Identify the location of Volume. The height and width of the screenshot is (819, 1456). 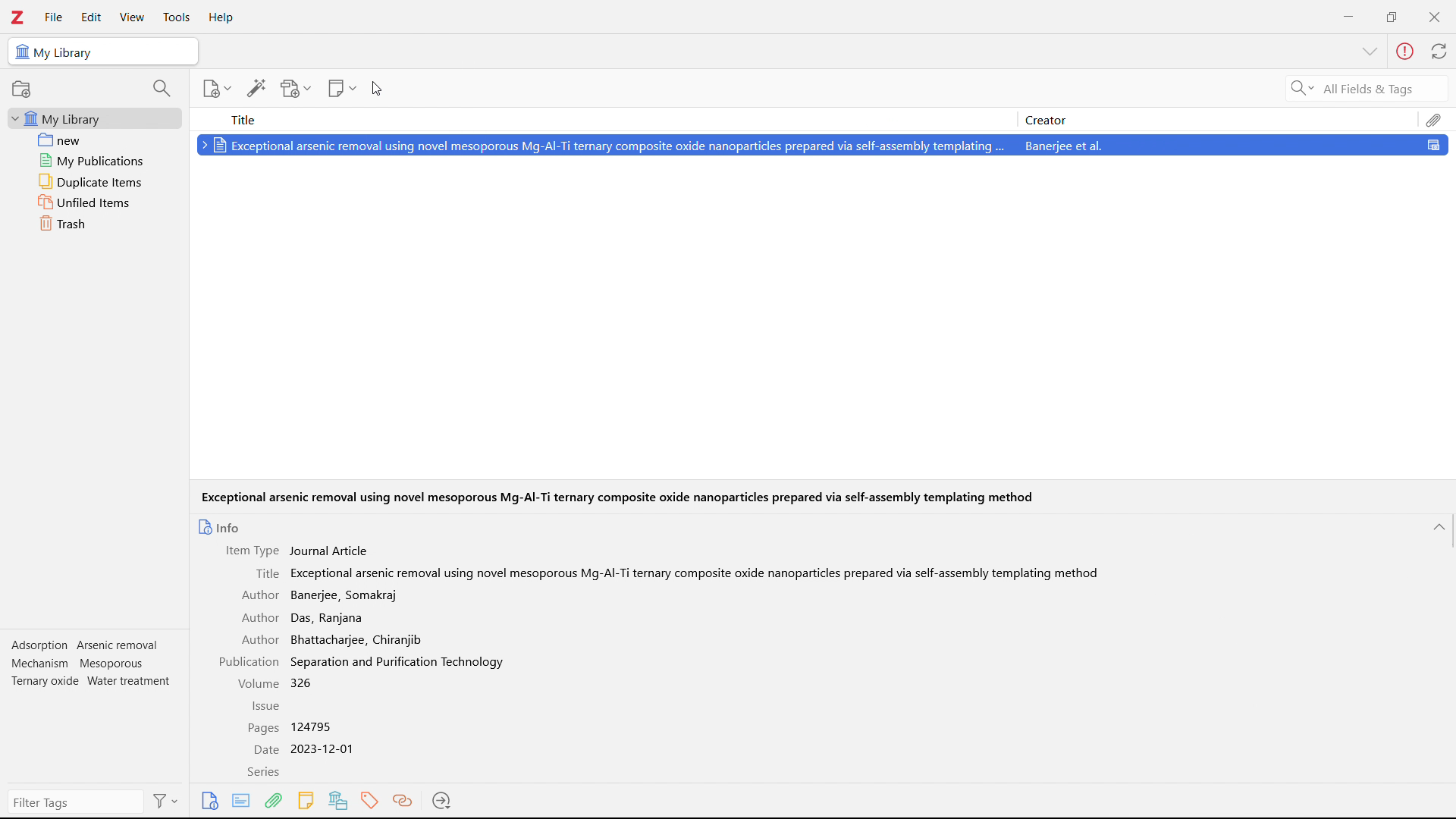
(253, 684).